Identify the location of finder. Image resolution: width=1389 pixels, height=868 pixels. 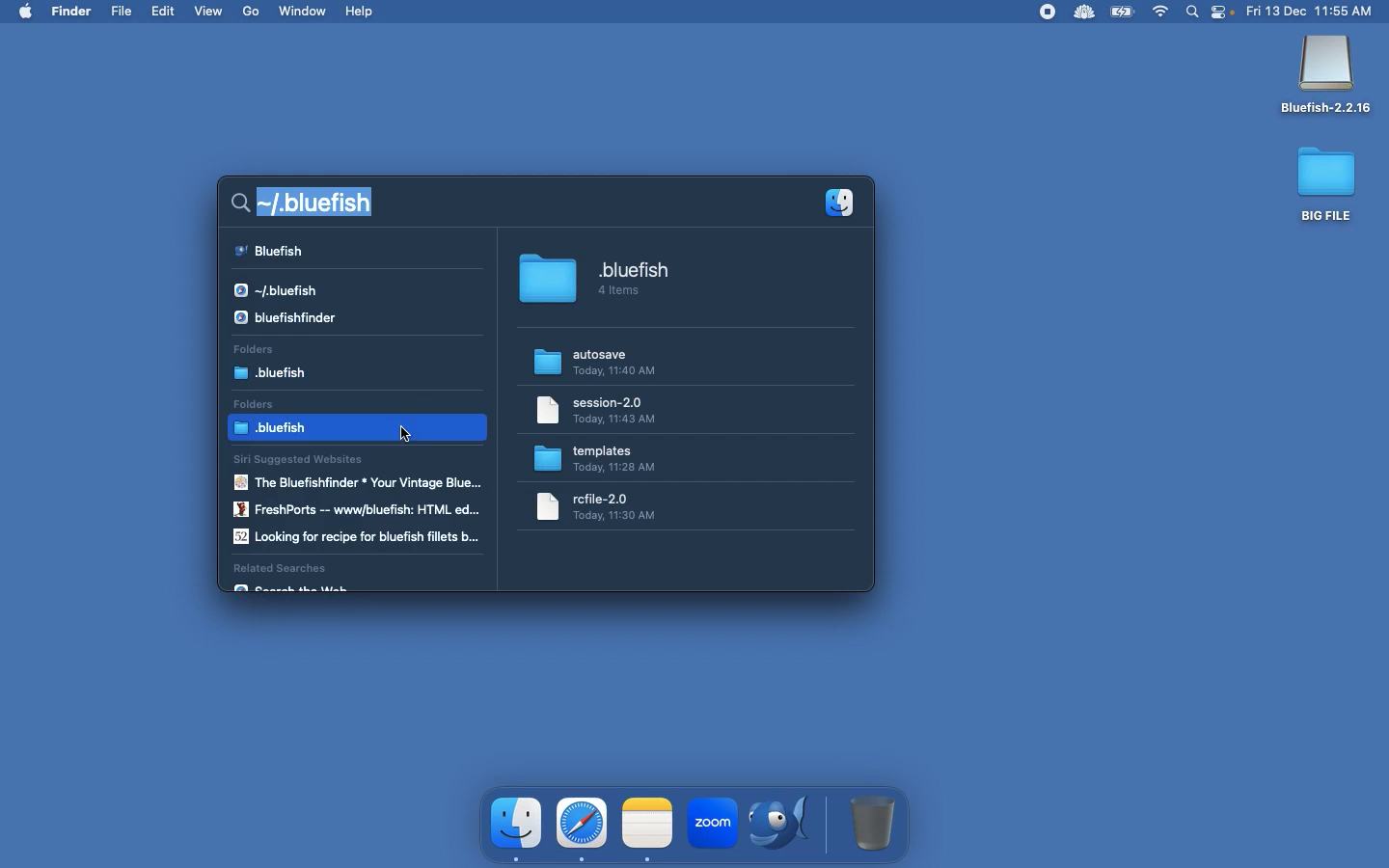
(518, 824).